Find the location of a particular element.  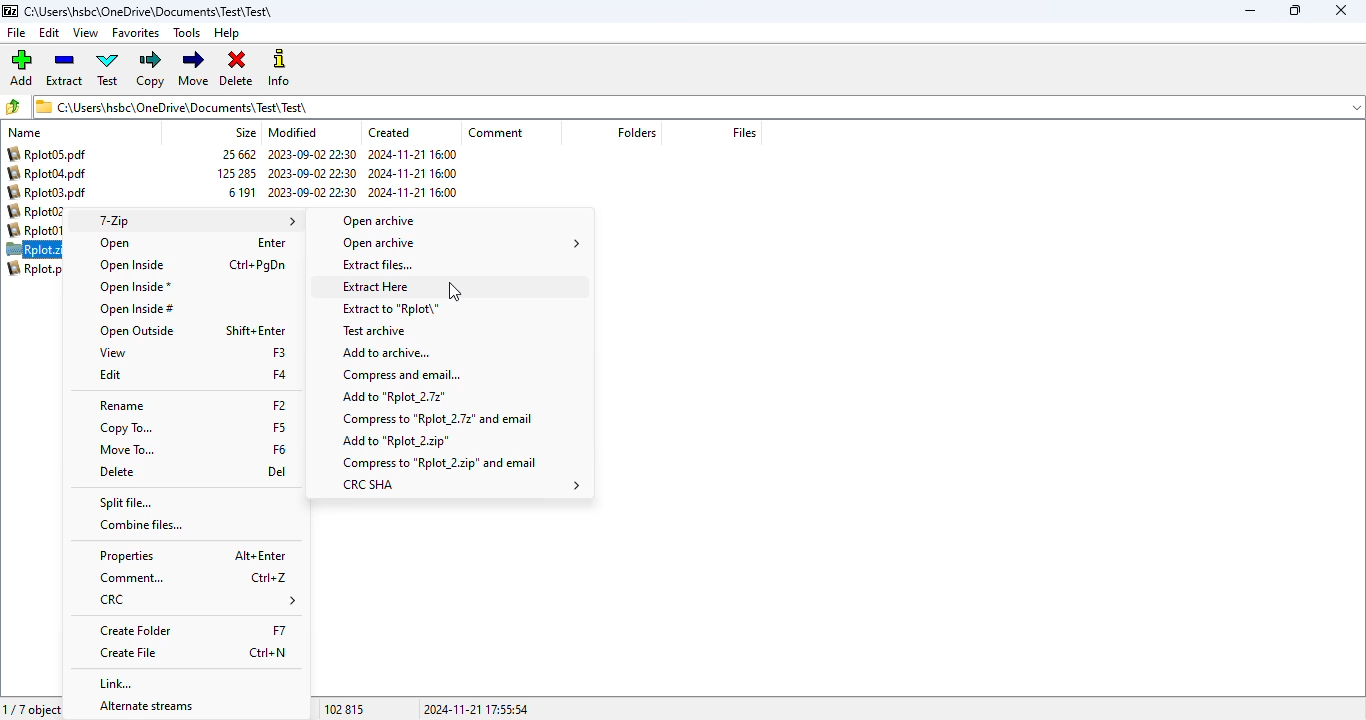

edit is located at coordinates (50, 33).